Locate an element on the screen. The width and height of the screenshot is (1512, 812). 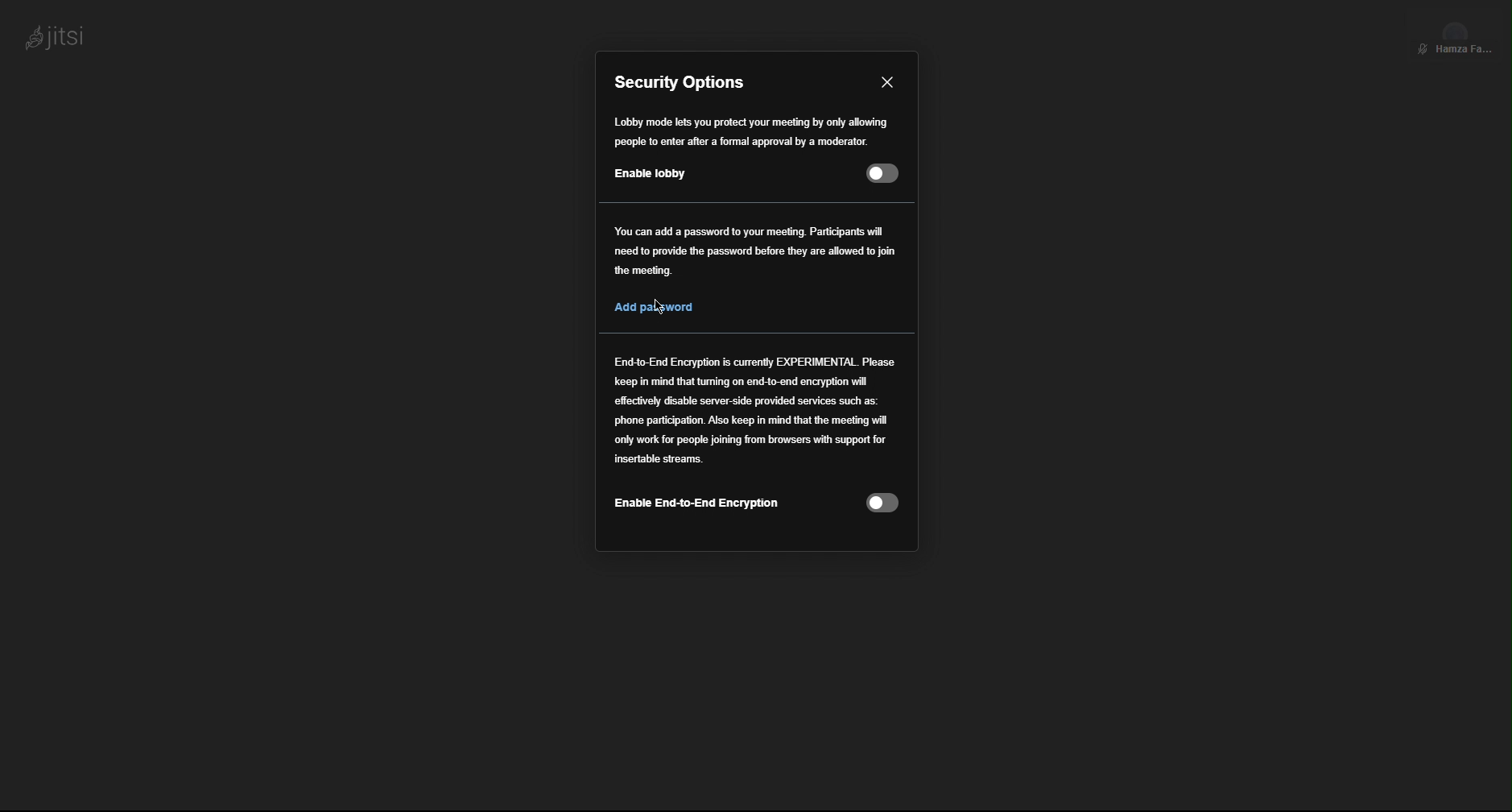
Close is located at coordinates (885, 82).